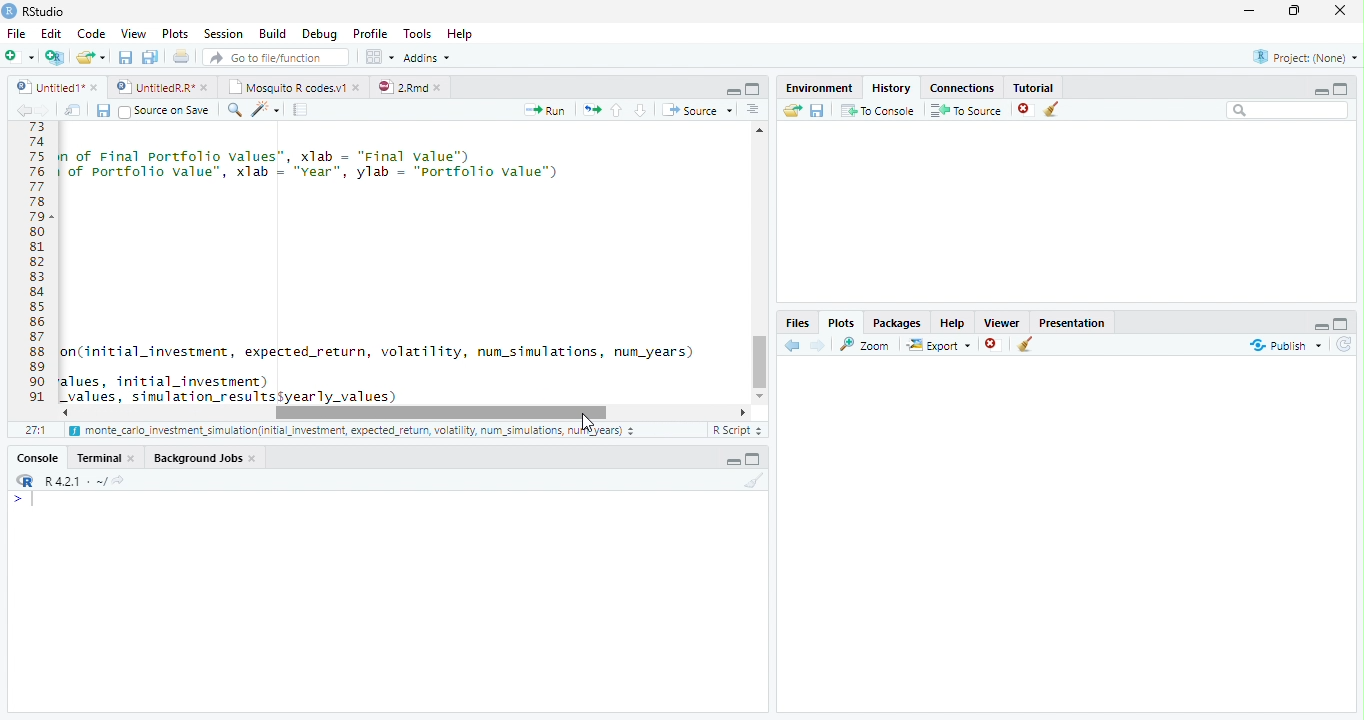 Image resolution: width=1364 pixels, height=720 pixels. What do you see at coordinates (402, 264) in the screenshot?
I see `Code` at bounding box center [402, 264].